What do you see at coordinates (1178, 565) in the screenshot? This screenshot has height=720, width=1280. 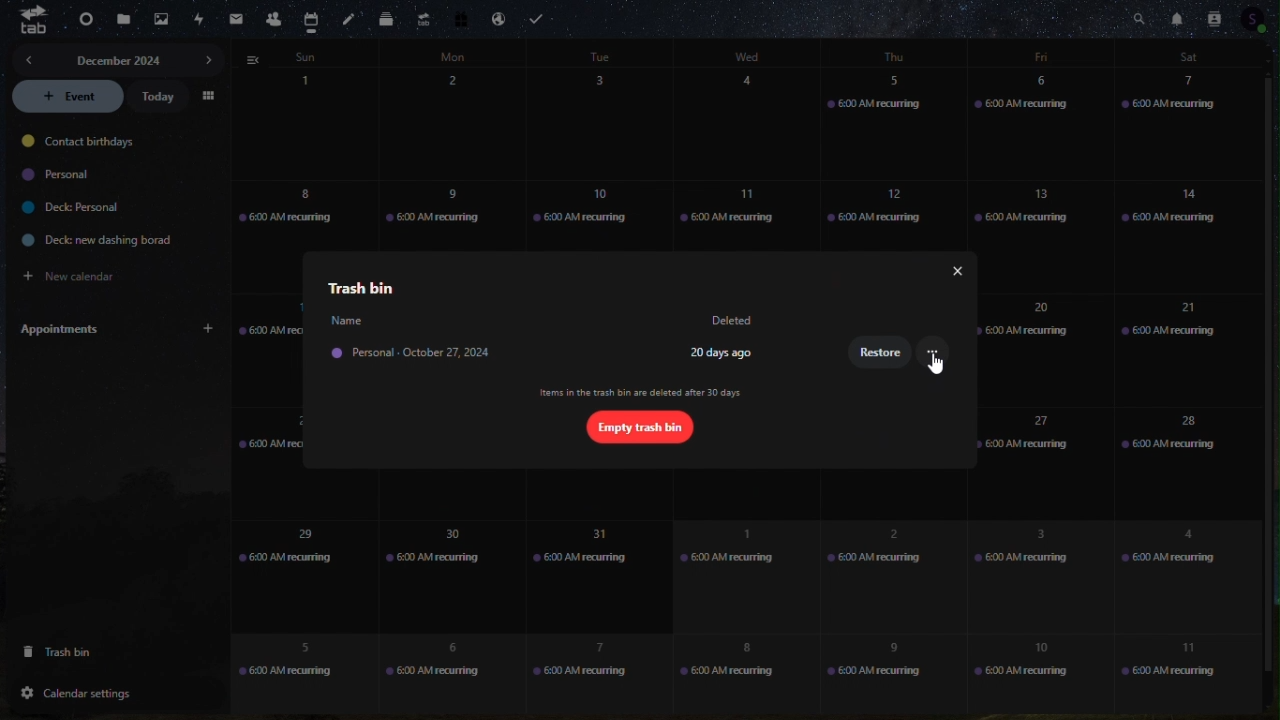 I see `4` at bounding box center [1178, 565].